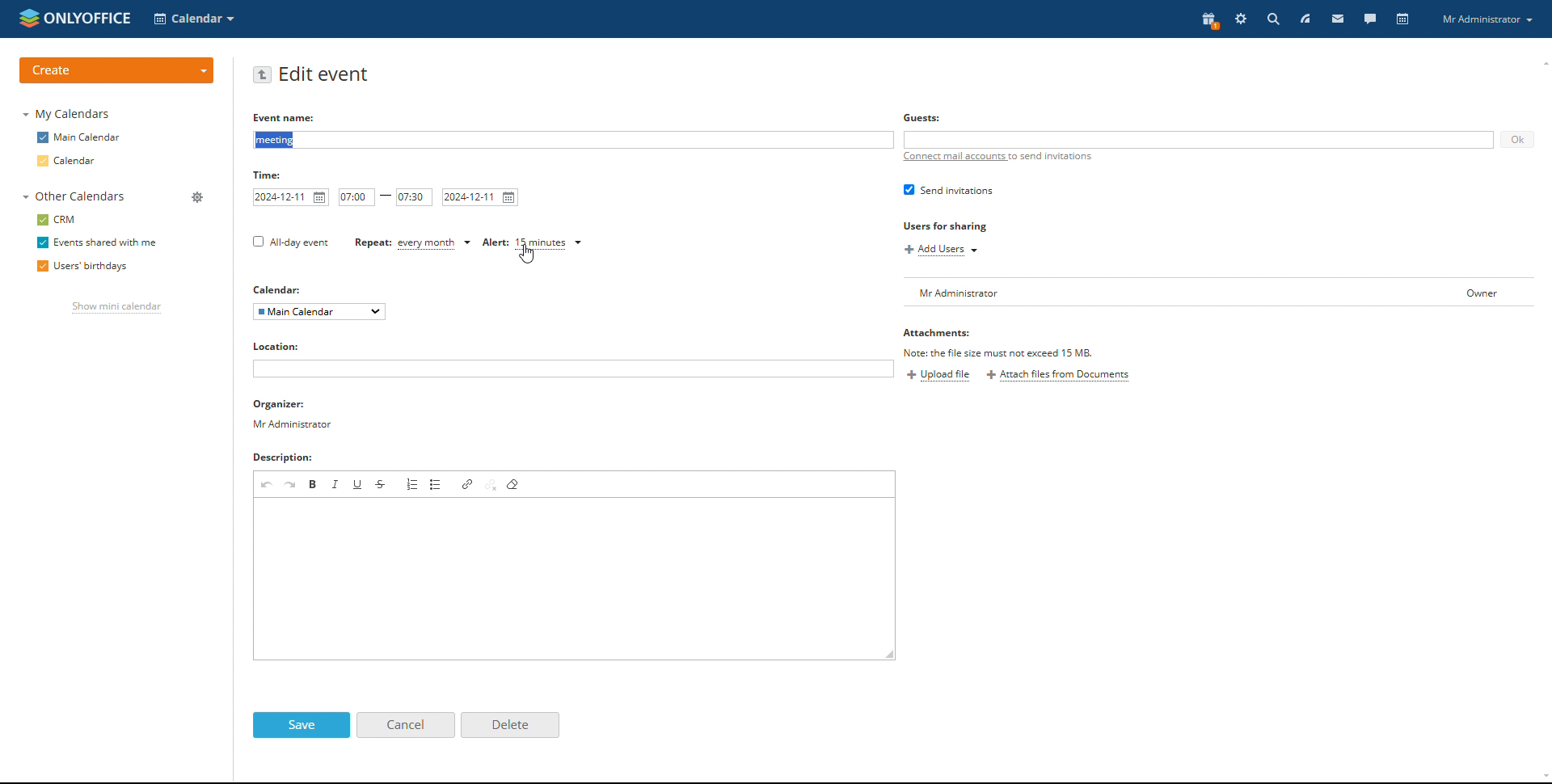 Image resolution: width=1552 pixels, height=784 pixels. What do you see at coordinates (356, 197) in the screenshot?
I see `start time` at bounding box center [356, 197].